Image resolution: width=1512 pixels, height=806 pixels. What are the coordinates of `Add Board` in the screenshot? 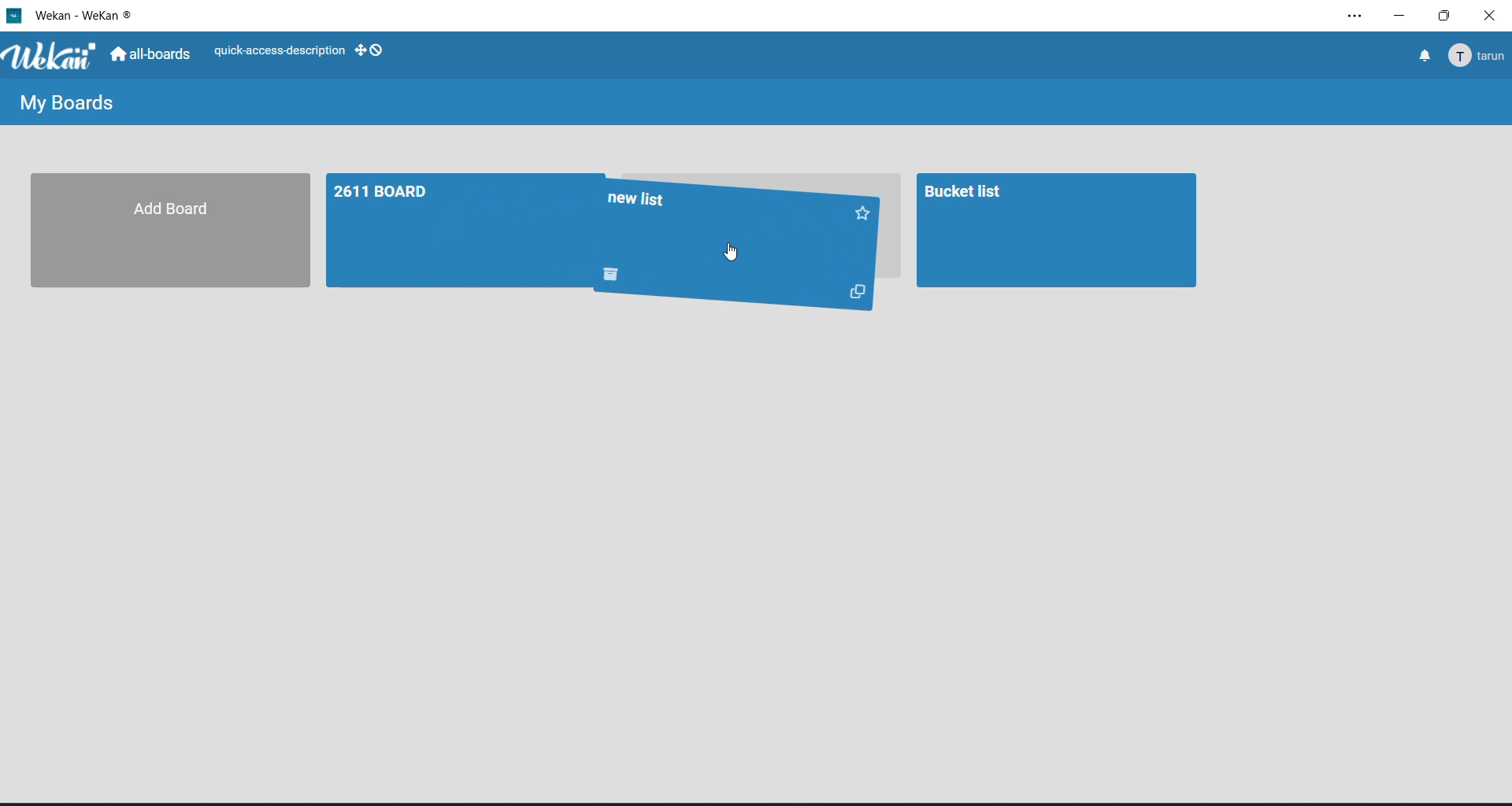 It's located at (161, 230).